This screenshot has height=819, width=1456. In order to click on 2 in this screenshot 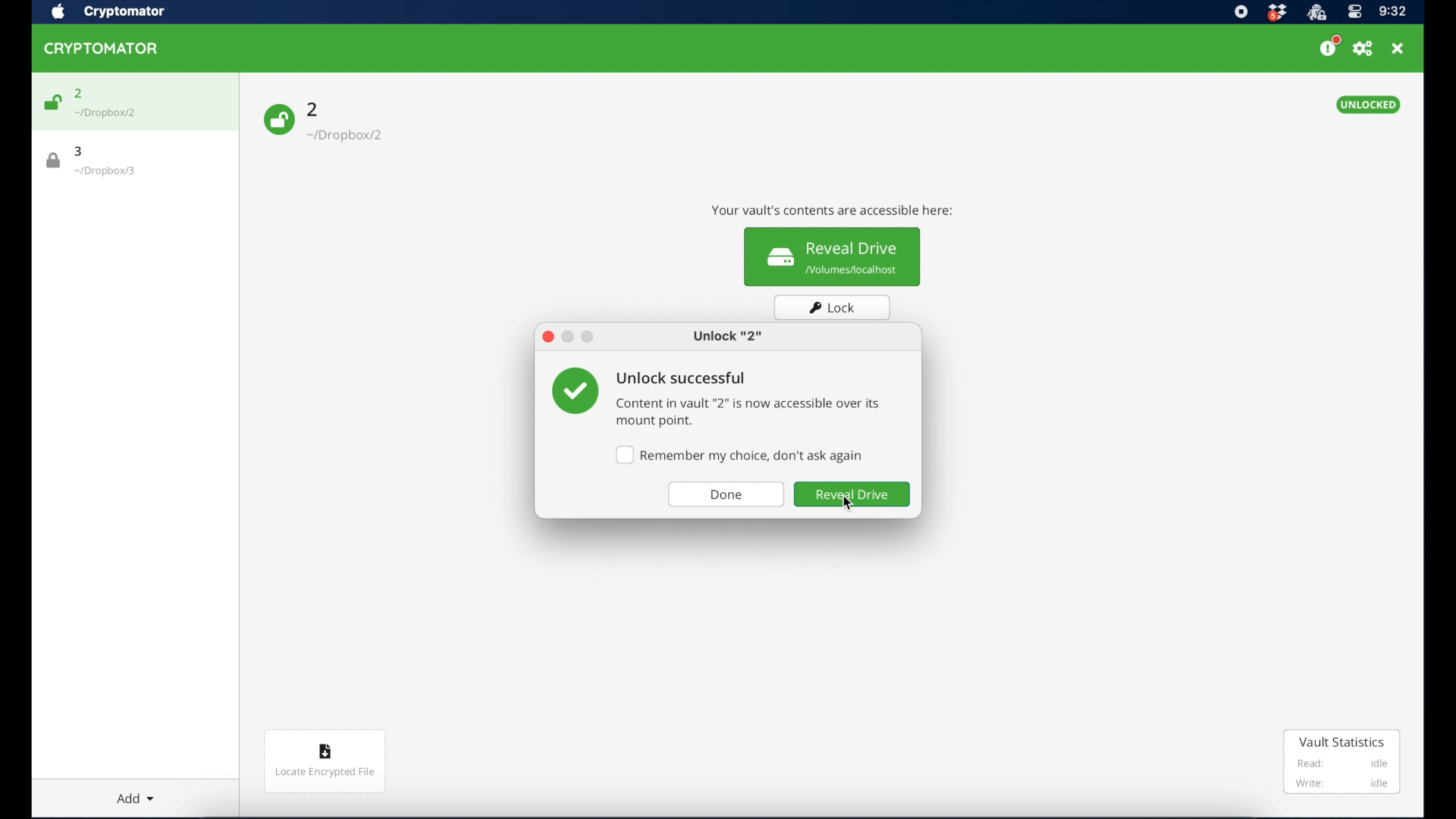, I will do `click(79, 92)`.